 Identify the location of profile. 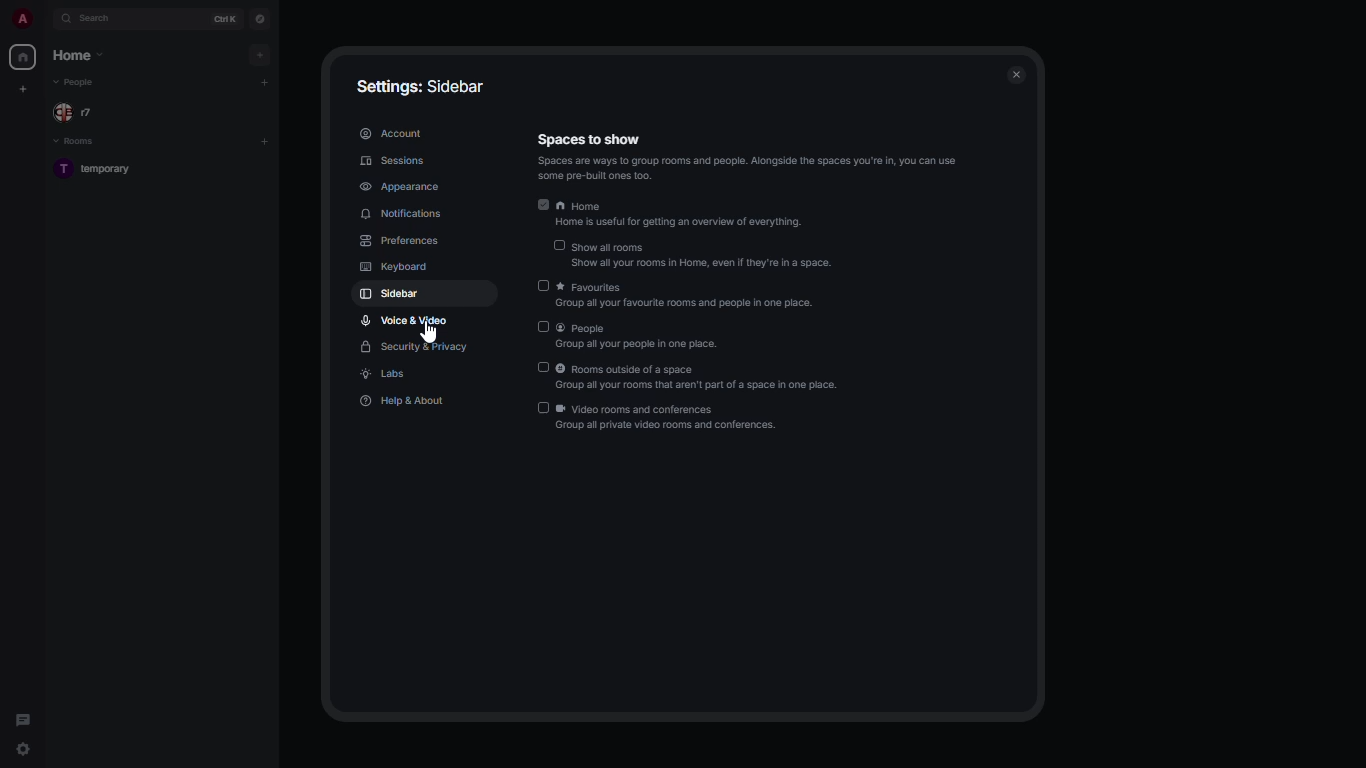
(24, 18).